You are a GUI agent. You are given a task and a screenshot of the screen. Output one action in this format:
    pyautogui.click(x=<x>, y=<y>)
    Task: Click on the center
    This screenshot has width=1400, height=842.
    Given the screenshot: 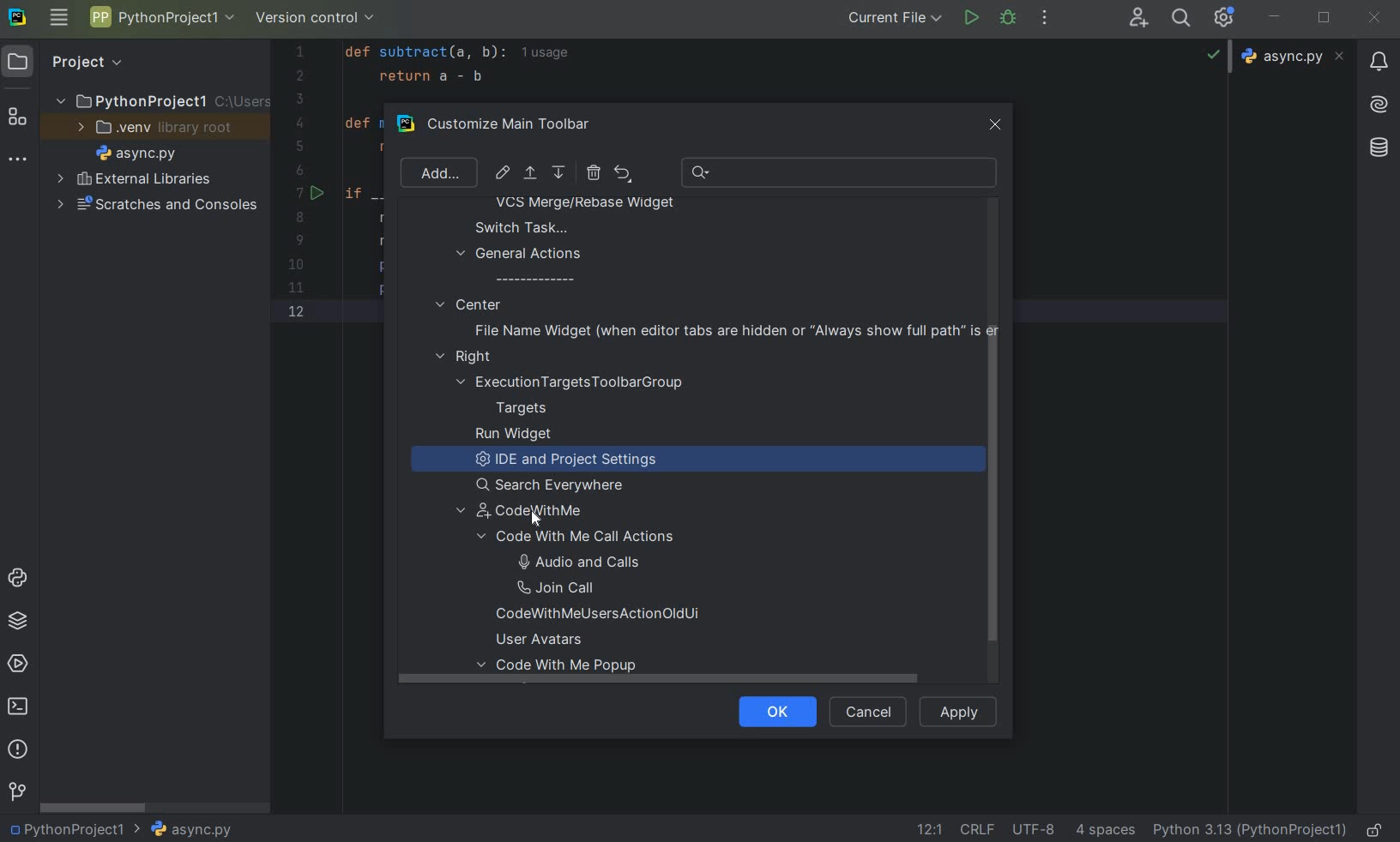 What is the action you would take?
    pyautogui.click(x=468, y=304)
    